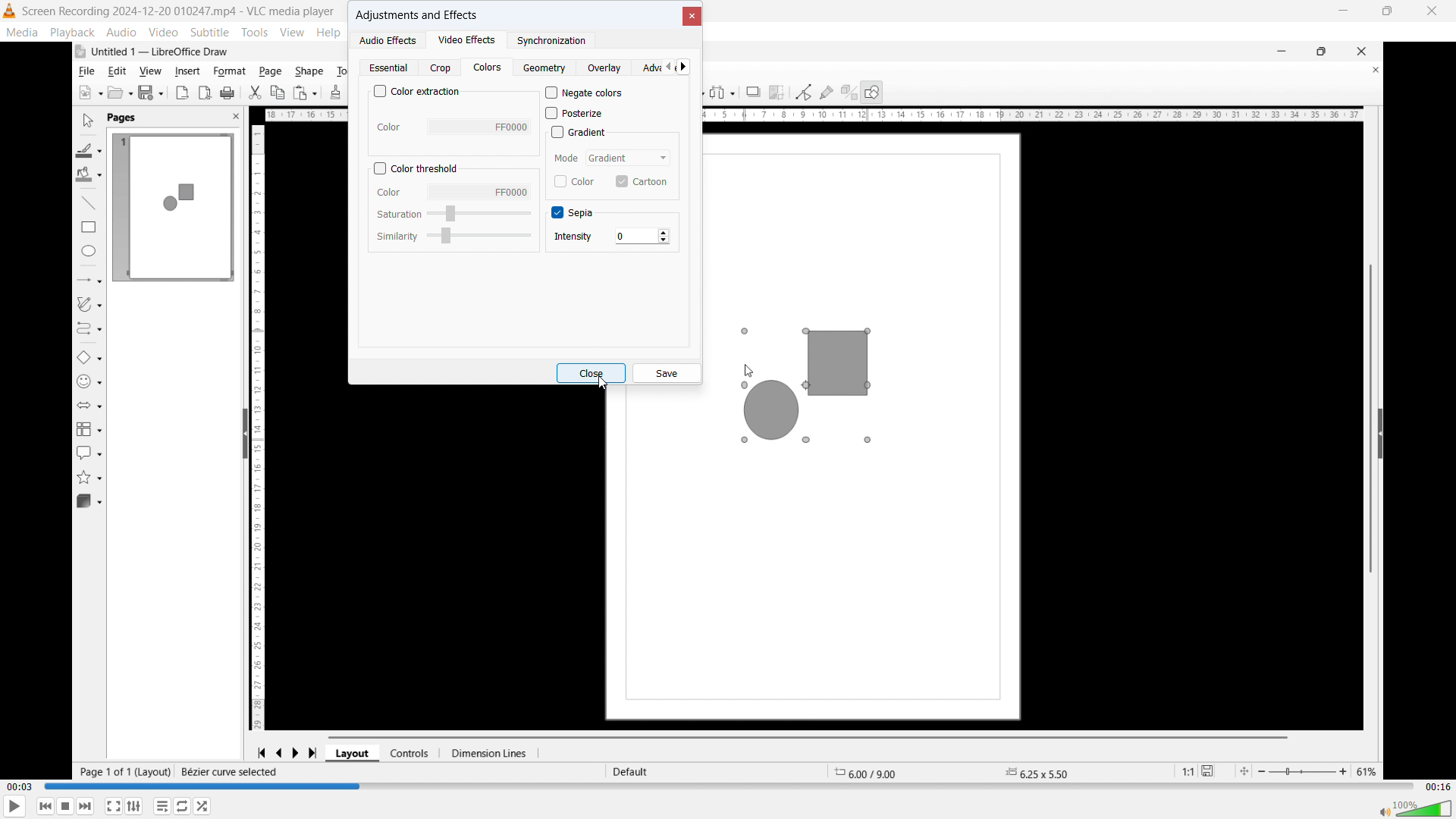 This screenshot has width=1456, height=819. I want to click on Scroll right , so click(684, 66).